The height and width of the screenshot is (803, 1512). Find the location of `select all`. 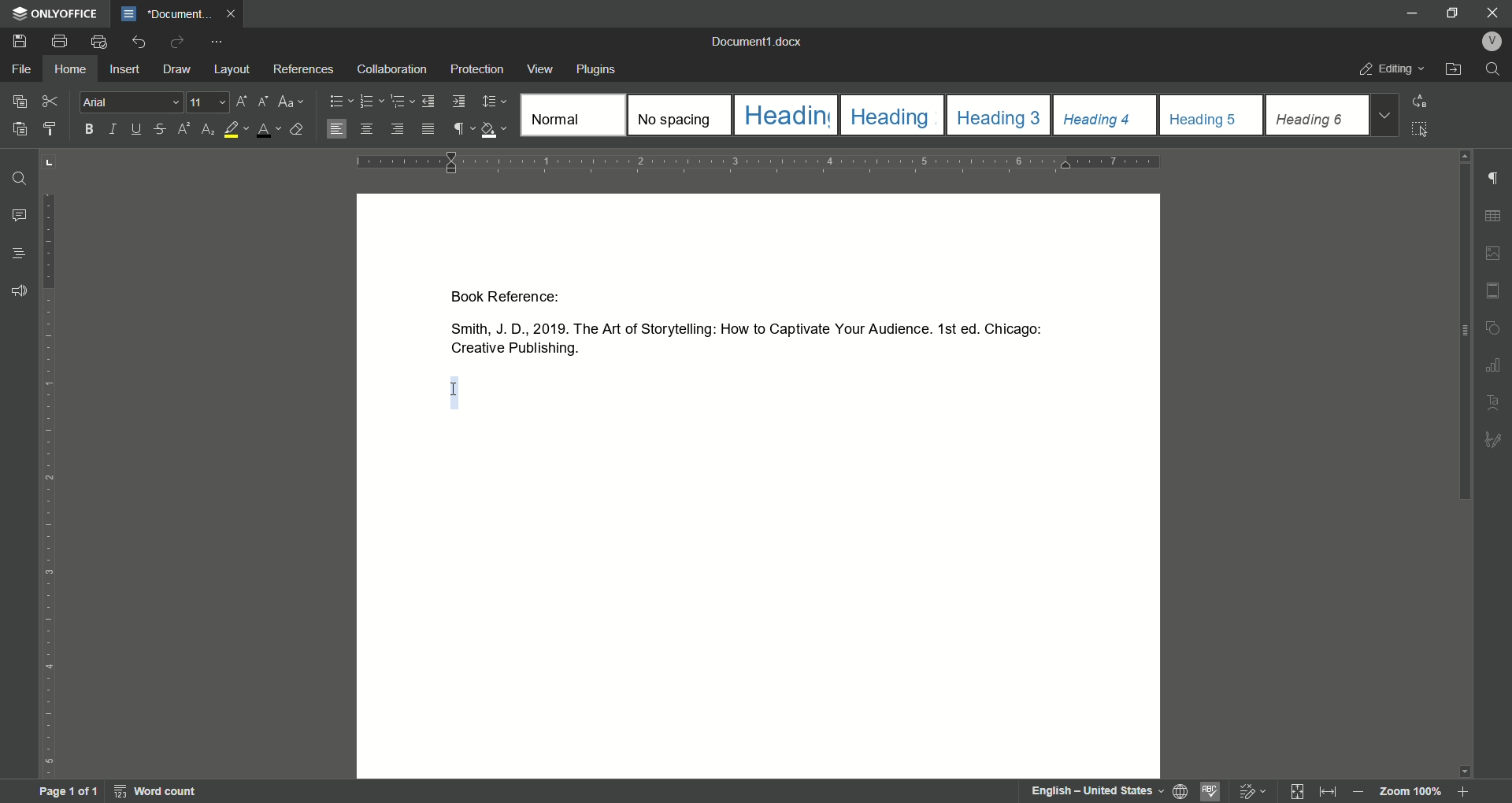

select all is located at coordinates (1421, 130).